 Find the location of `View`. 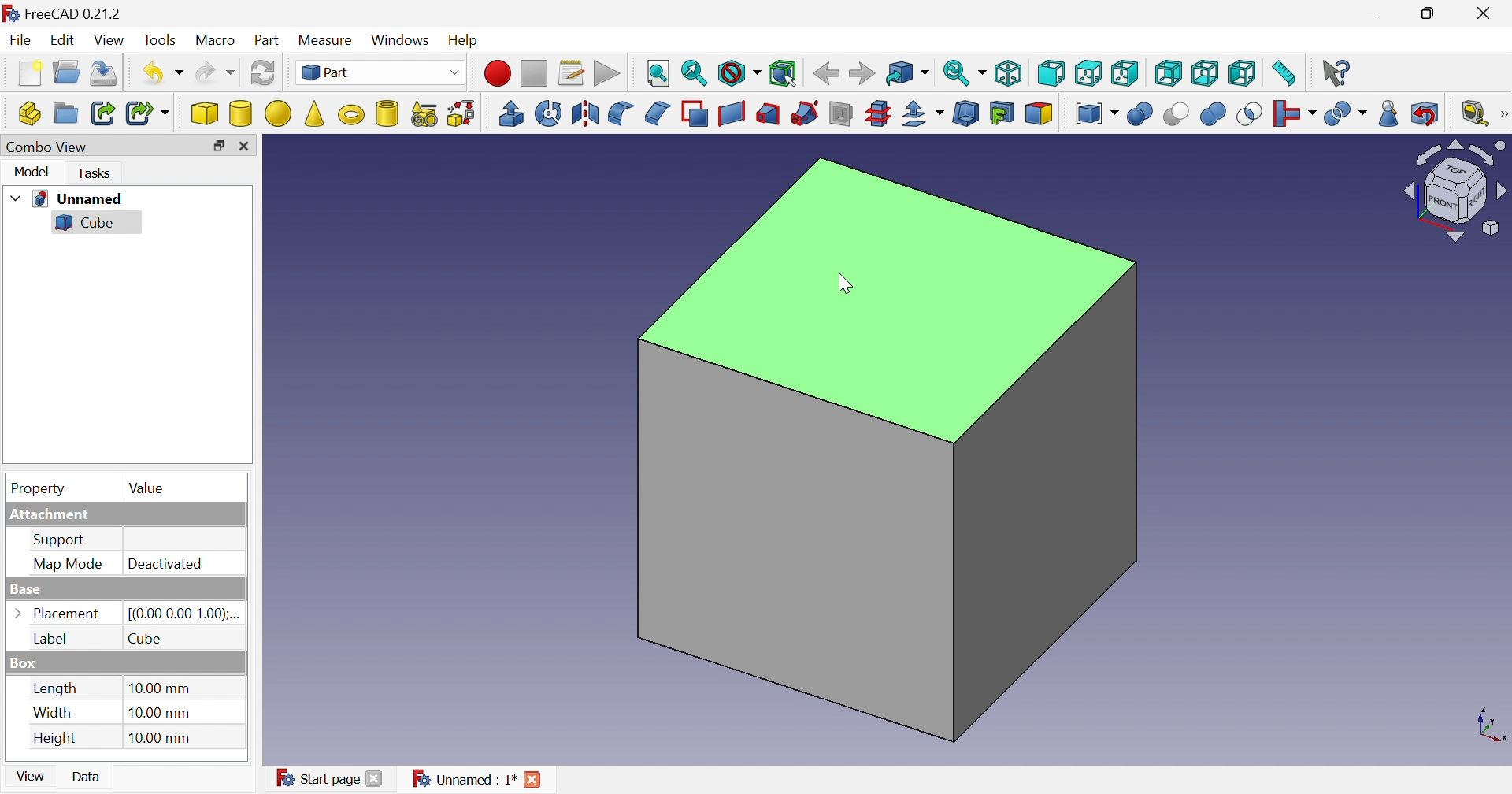

View is located at coordinates (111, 40).